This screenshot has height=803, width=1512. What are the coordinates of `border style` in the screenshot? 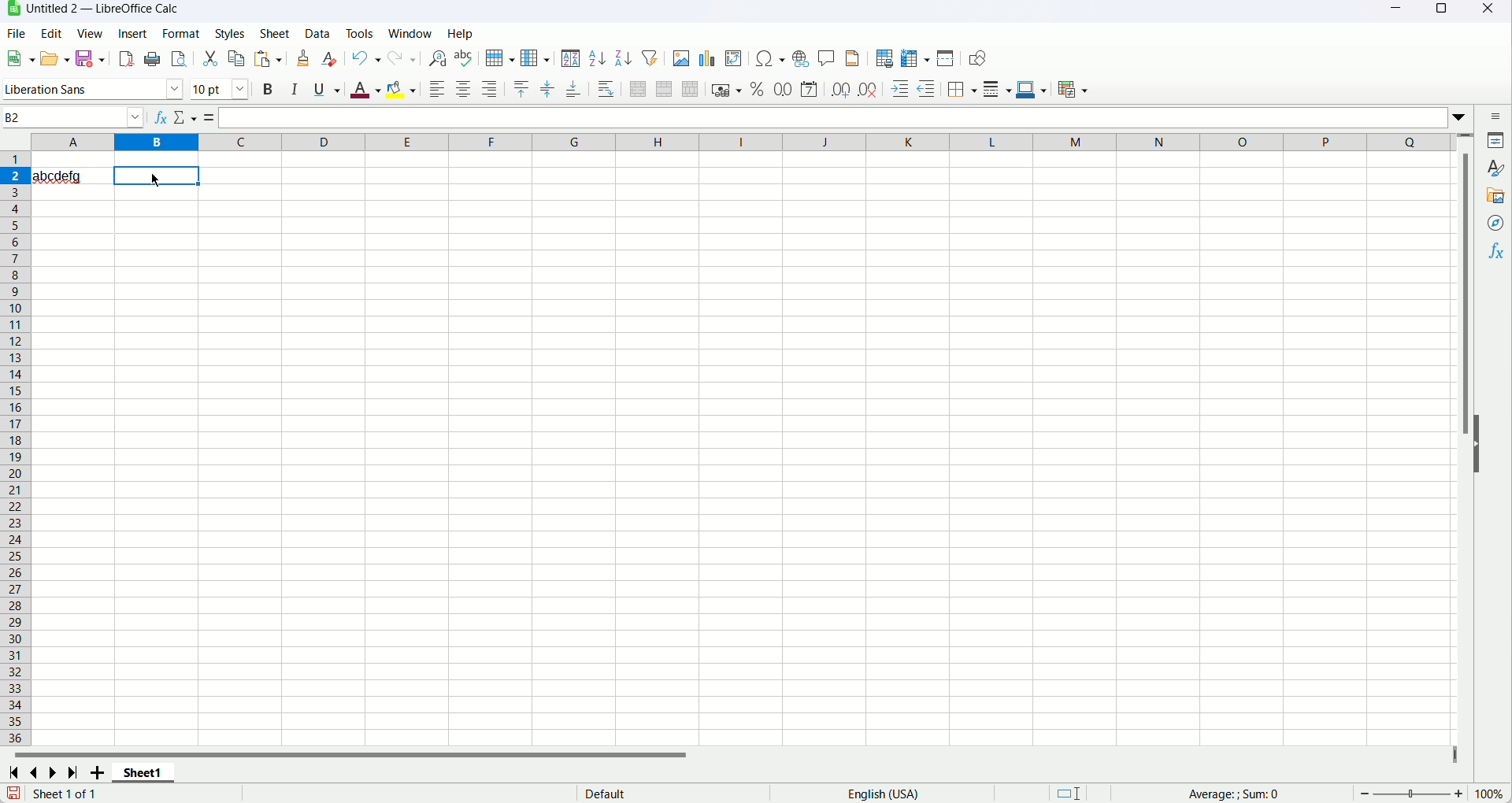 It's located at (999, 90).